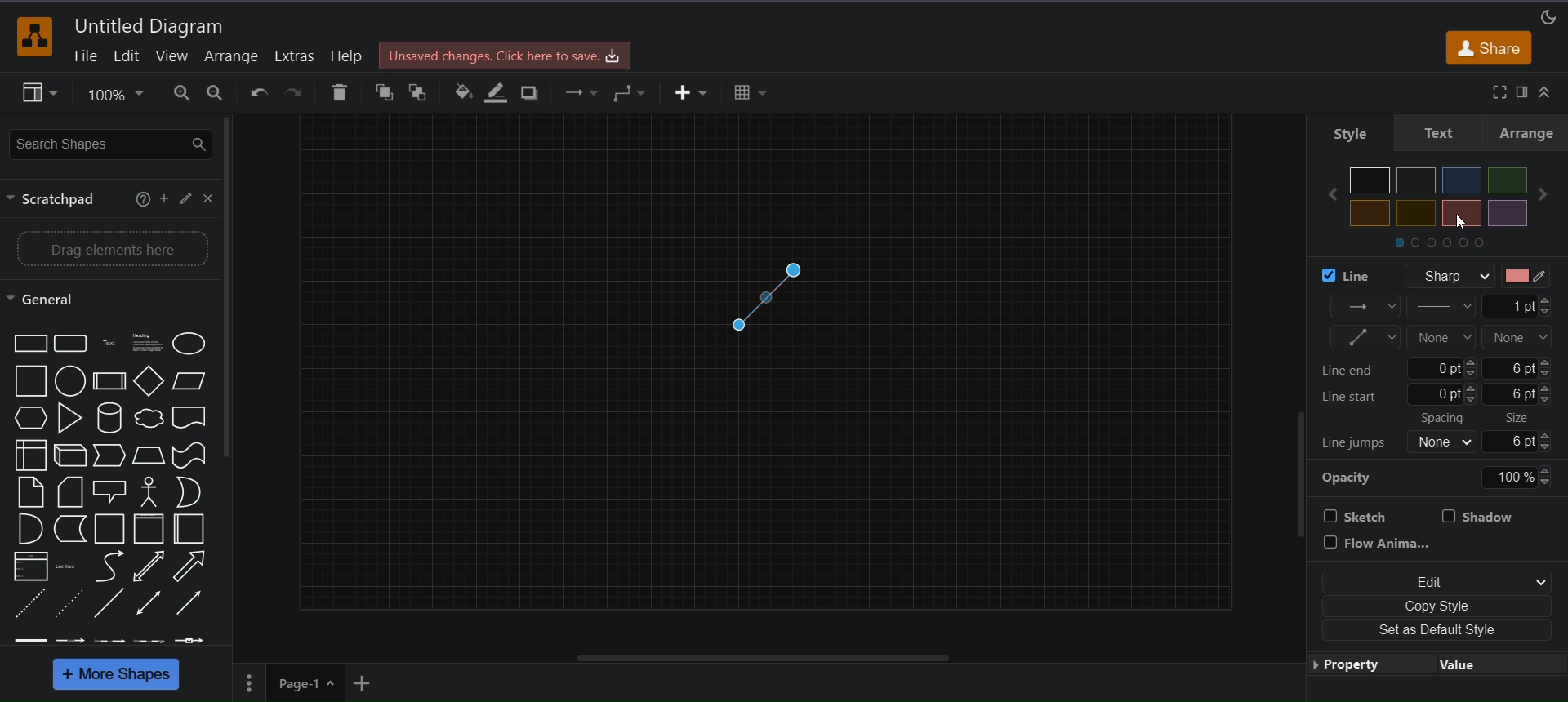  Describe the element at coordinates (688, 92) in the screenshot. I see `insert` at that location.